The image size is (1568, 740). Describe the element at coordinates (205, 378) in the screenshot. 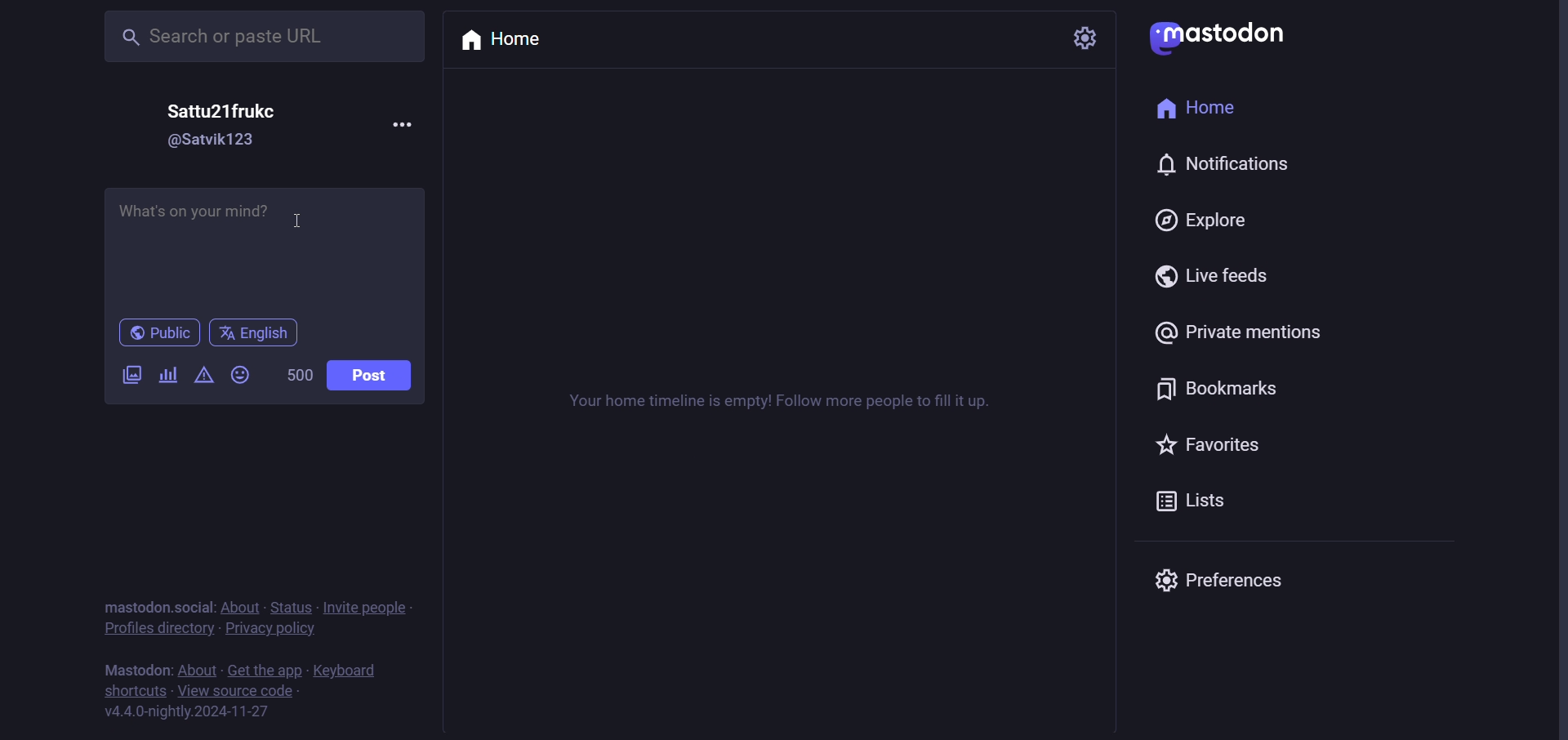

I see `content warning` at that location.